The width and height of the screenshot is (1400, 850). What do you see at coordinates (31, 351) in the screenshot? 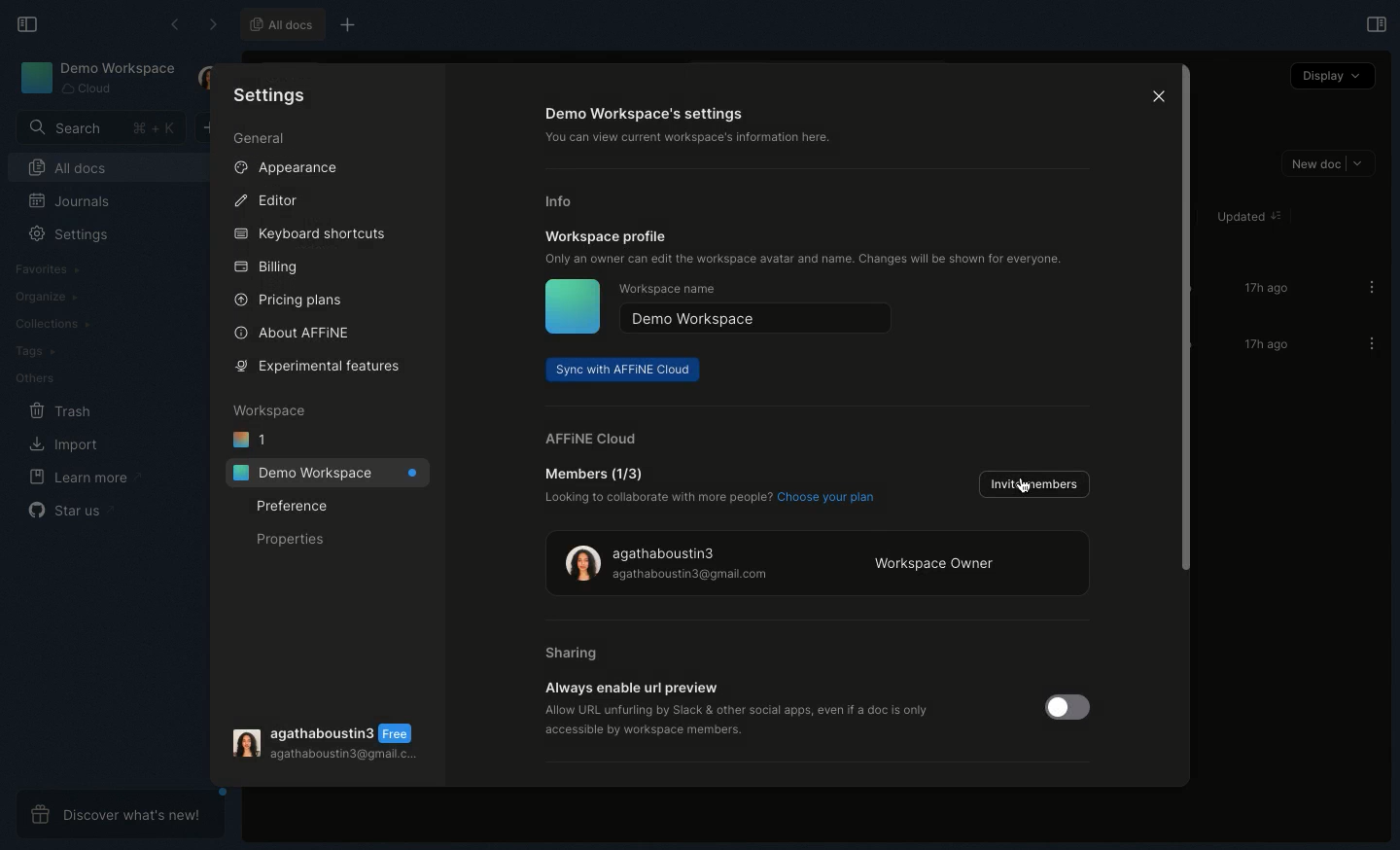
I see `Tags` at bounding box center [31, 351].